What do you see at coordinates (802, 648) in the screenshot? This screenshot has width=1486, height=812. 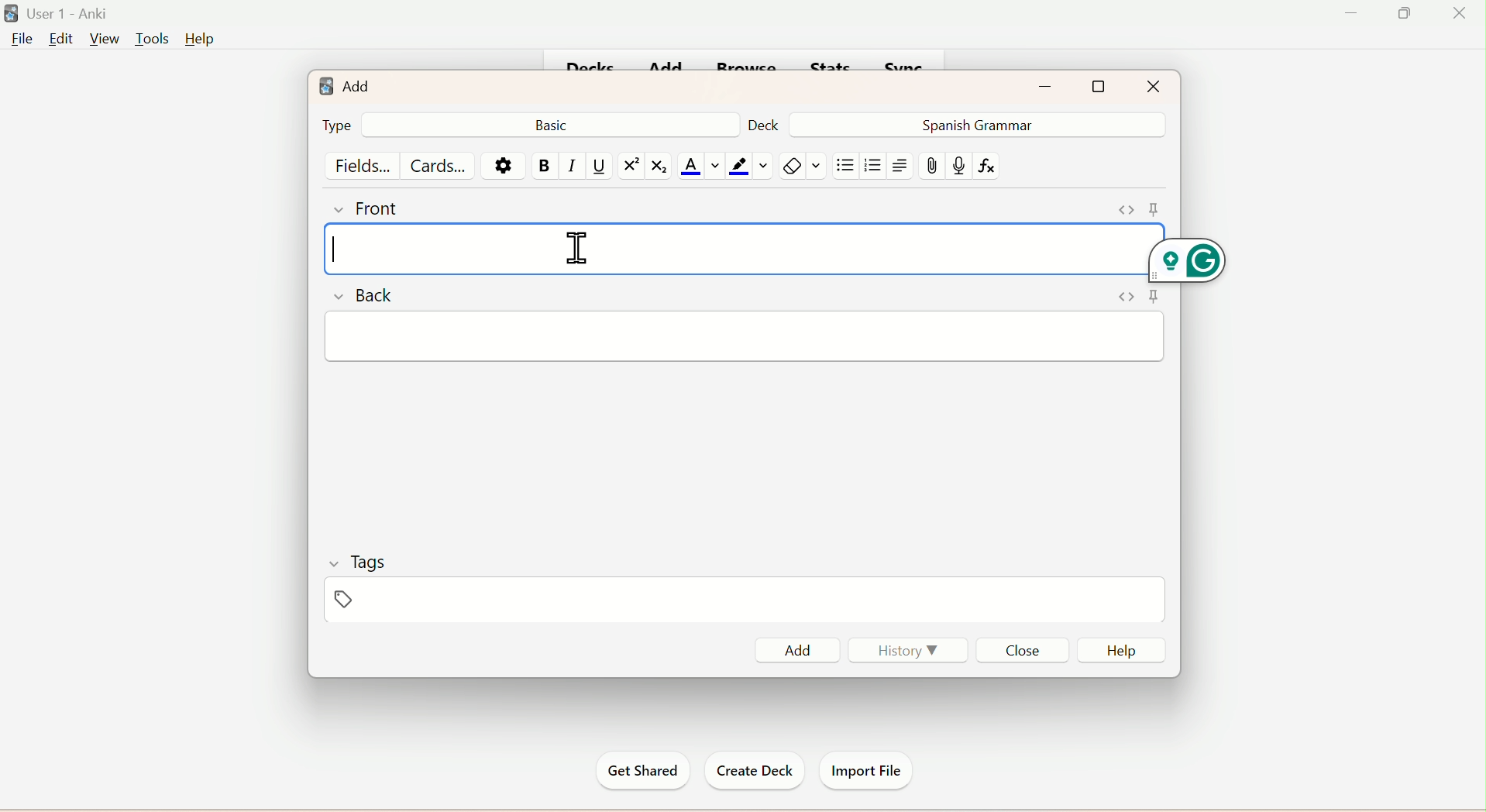 I see `Add` at bounding box center [802, 648].